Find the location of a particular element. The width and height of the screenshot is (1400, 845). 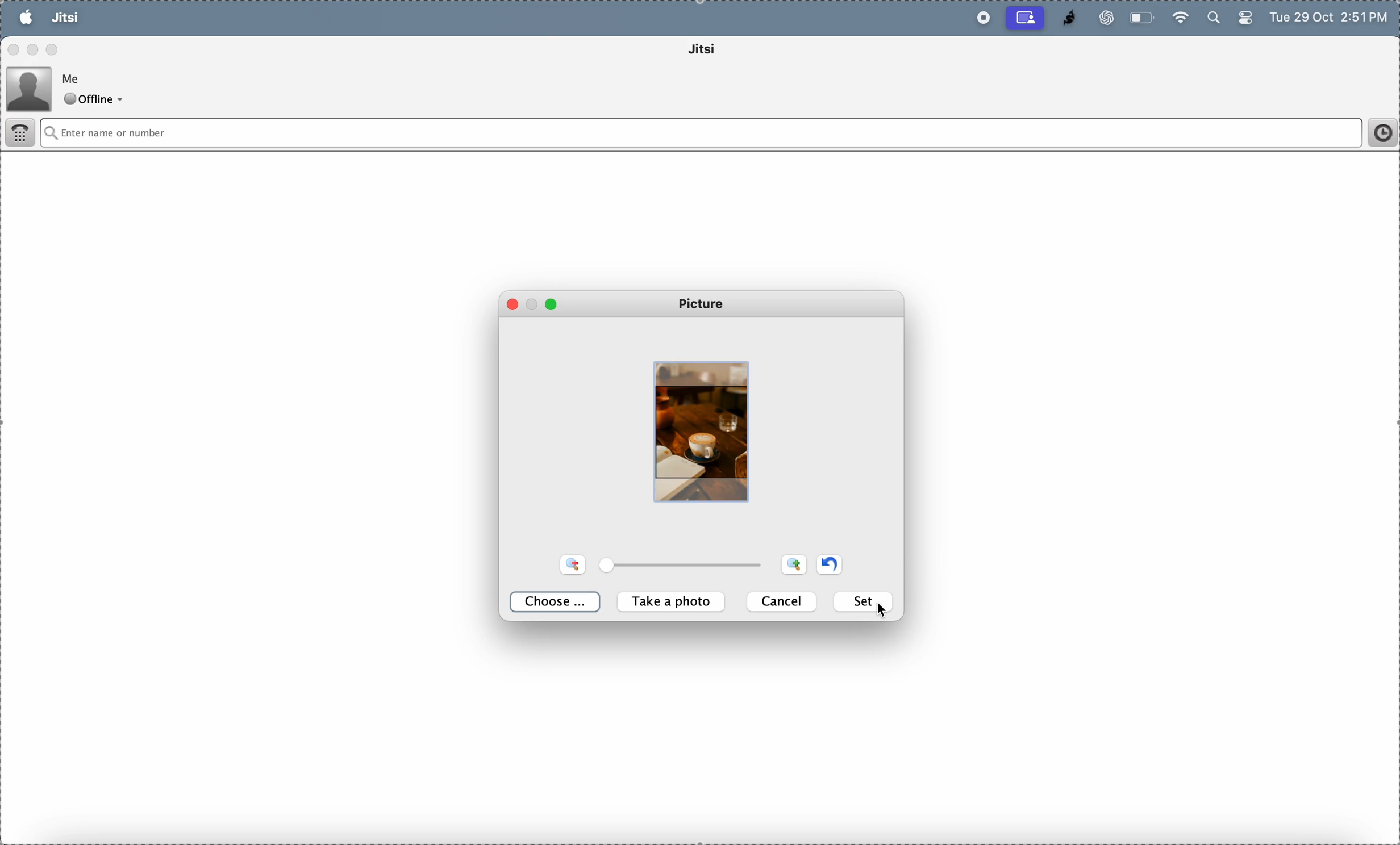

Picture is located at coordinates (705, 304).